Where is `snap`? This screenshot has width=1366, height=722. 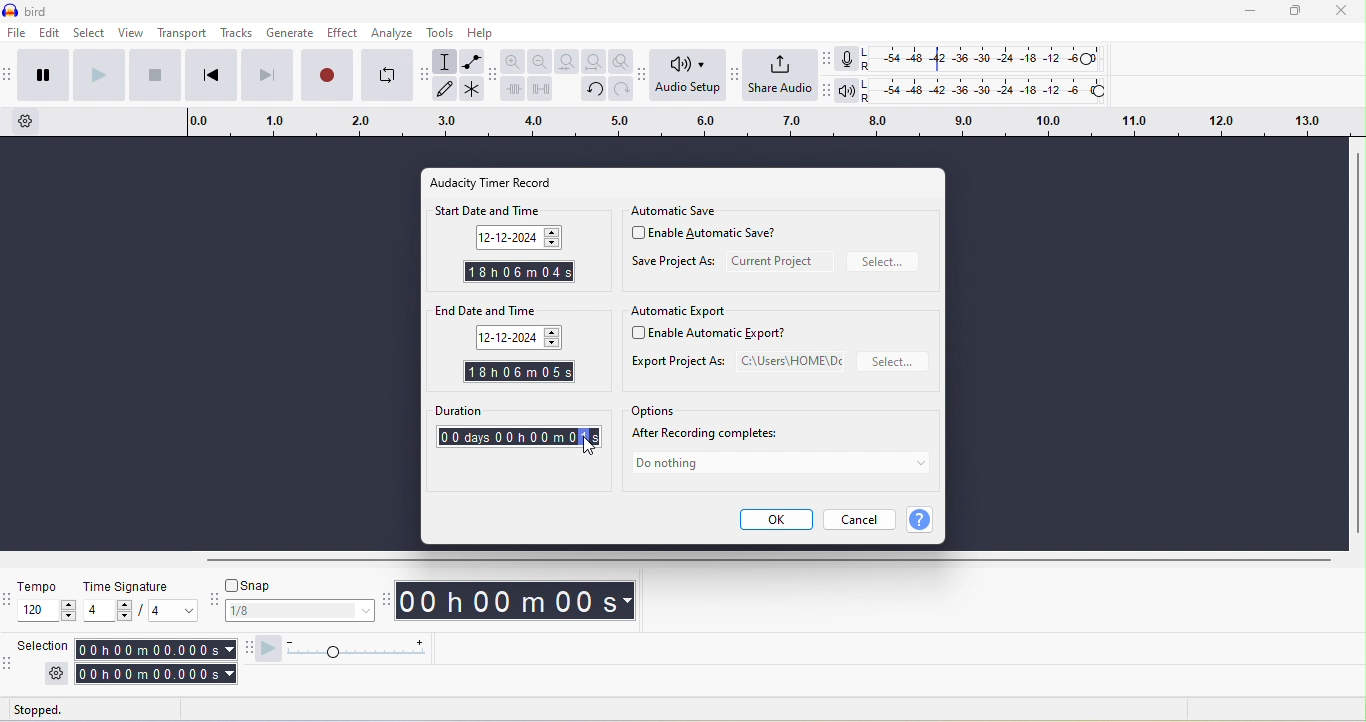
snap is located at coordinates (297, 586).